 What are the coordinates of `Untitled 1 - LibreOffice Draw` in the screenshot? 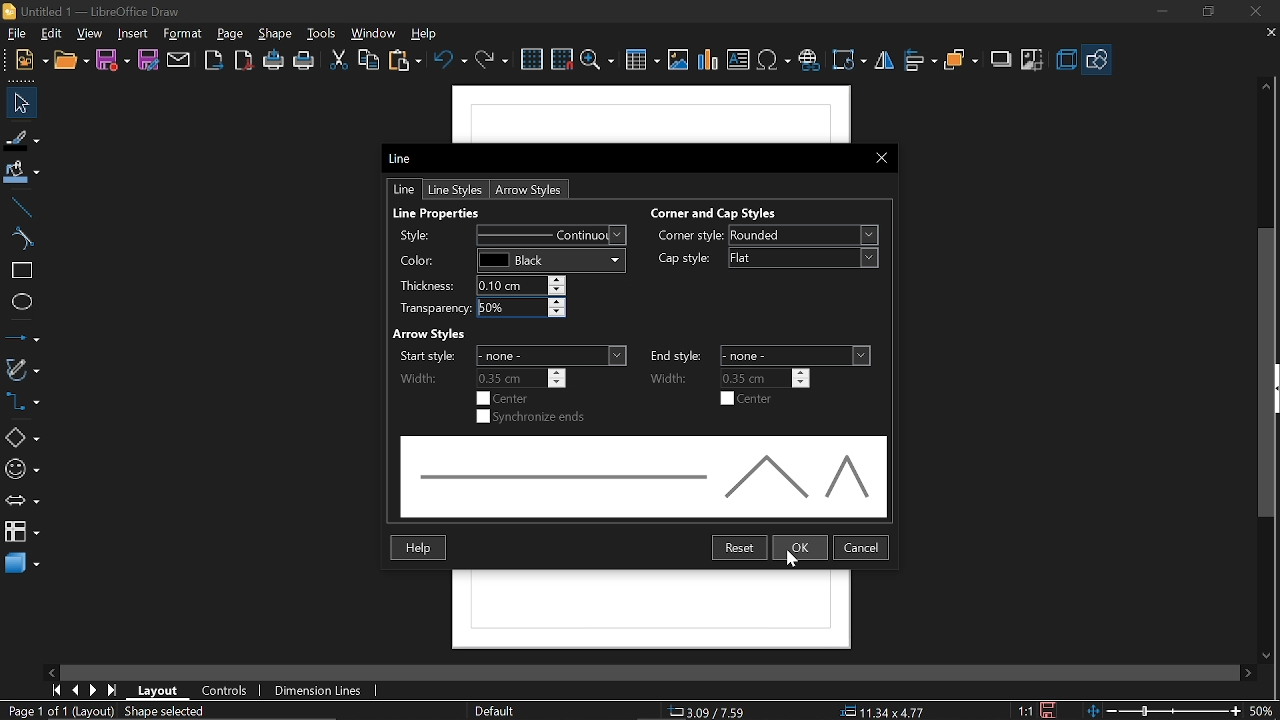 It's located at (97, 11).